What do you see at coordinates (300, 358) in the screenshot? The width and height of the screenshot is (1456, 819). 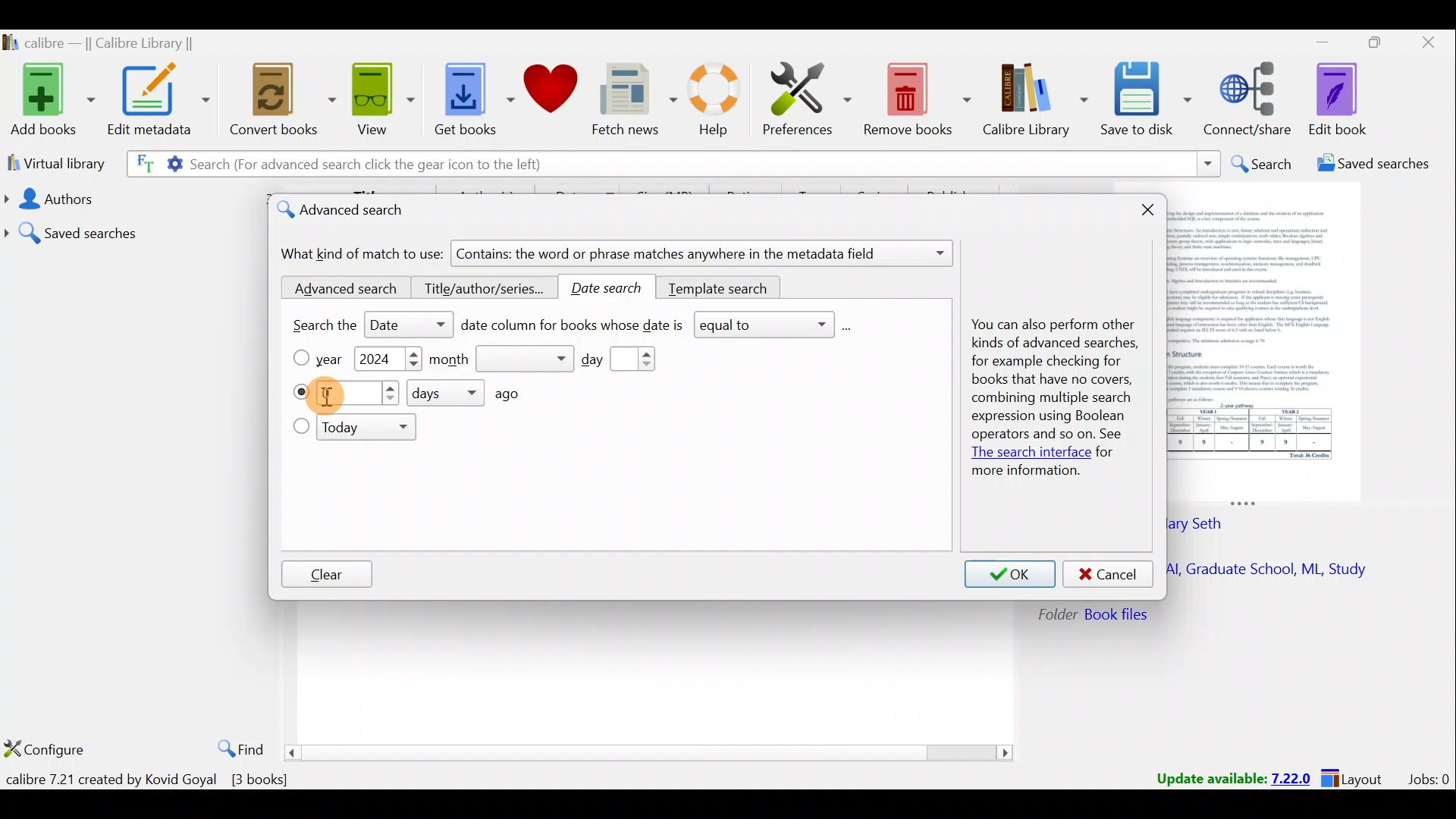 I see `Year checkbox` at bounding box center [300, 358].